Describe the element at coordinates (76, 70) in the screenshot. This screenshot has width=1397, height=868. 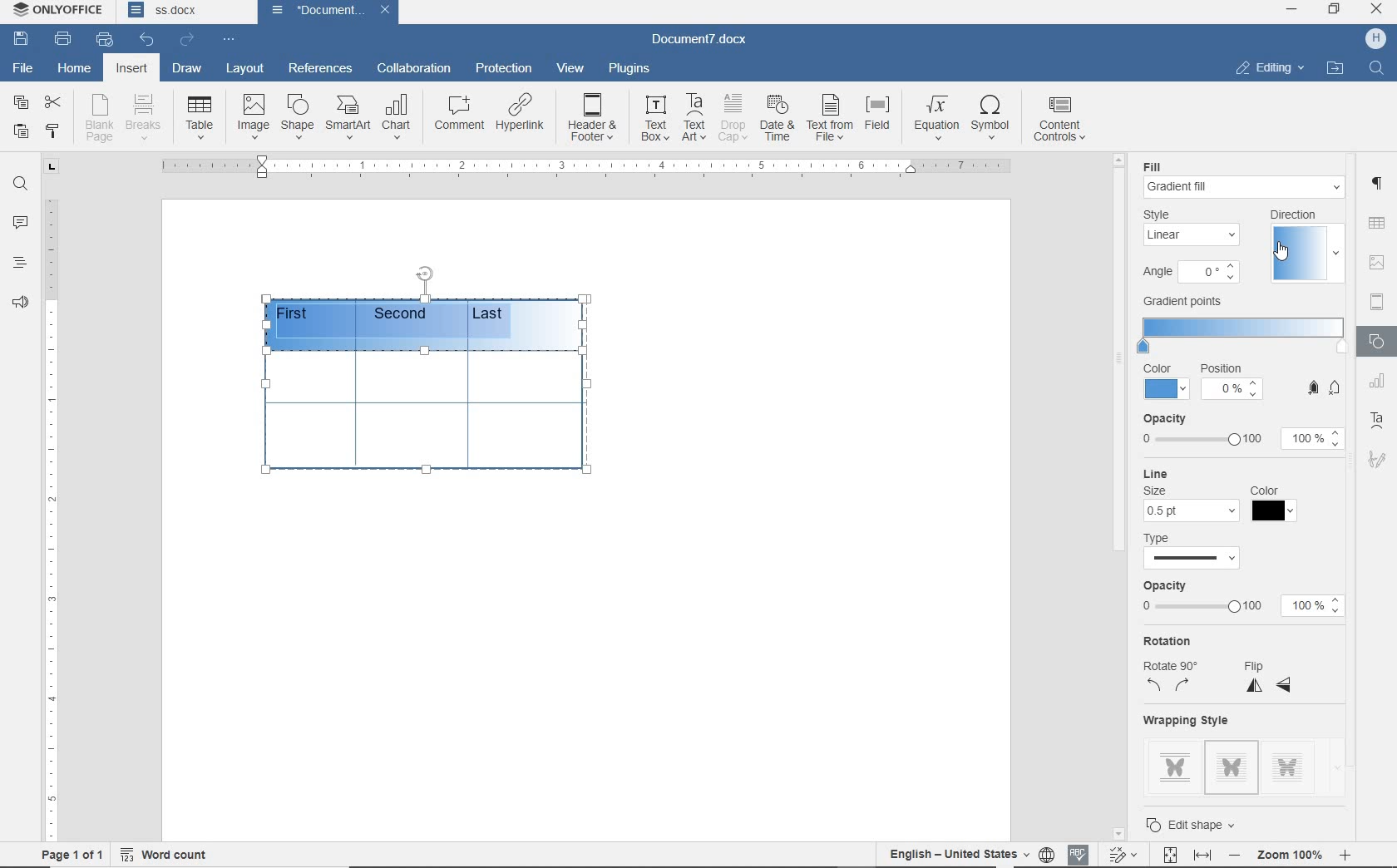
I see `home` at that location.